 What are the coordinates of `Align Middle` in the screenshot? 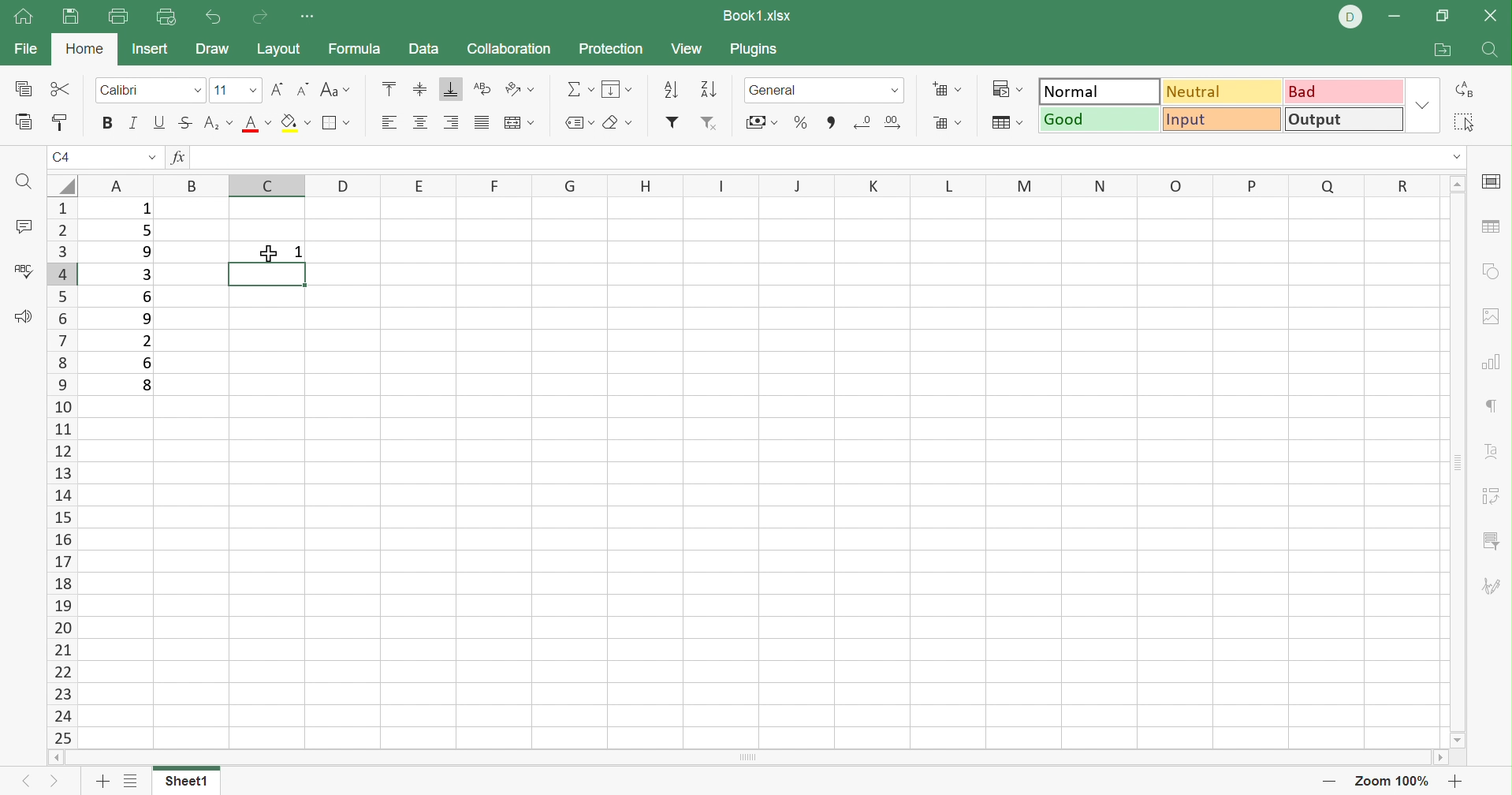 It's located at (422, 88).